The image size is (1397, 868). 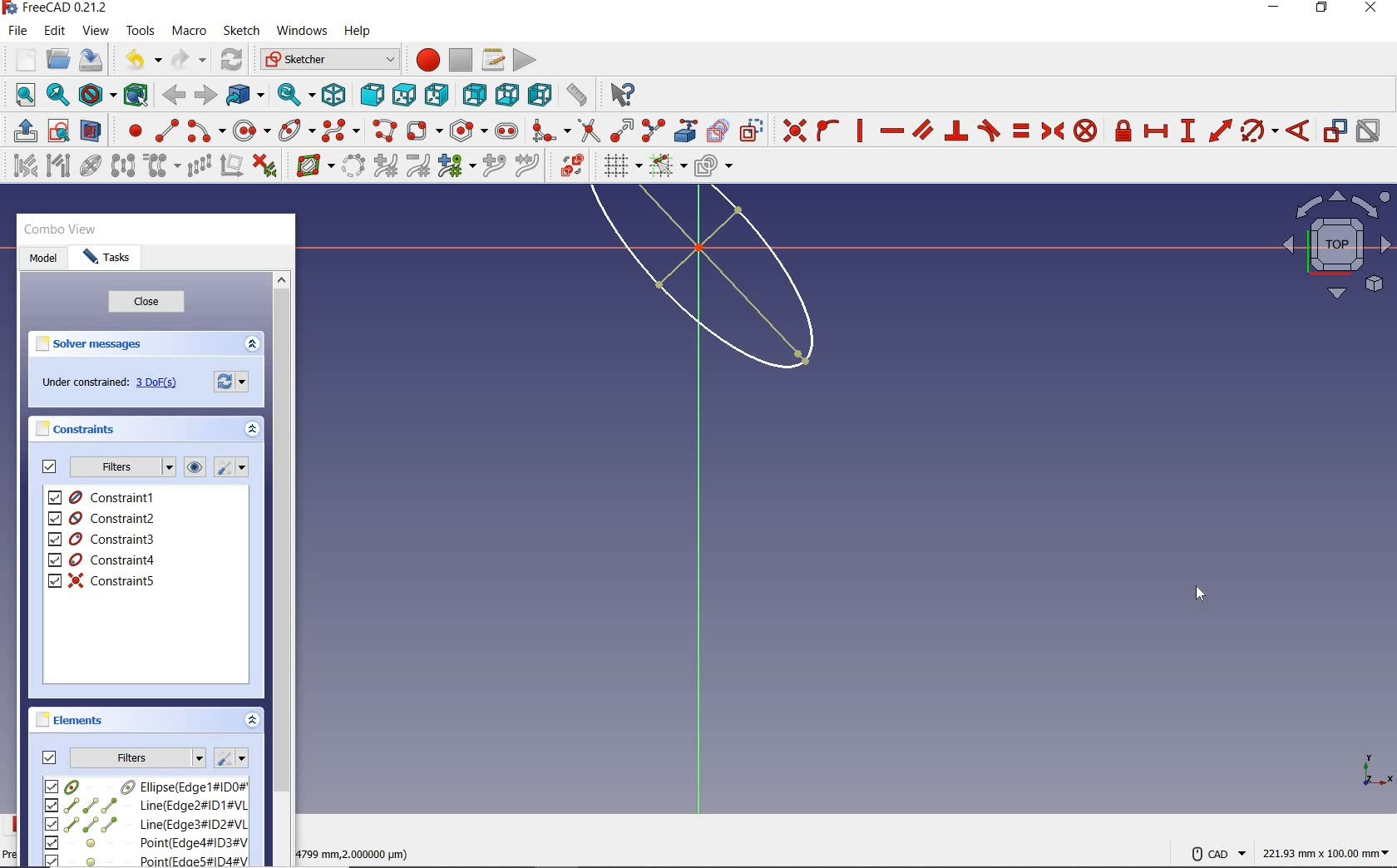 What do you see at coordinates (146, 824) in the screenshot?
I see `element3` at bounding box center [146, 824].